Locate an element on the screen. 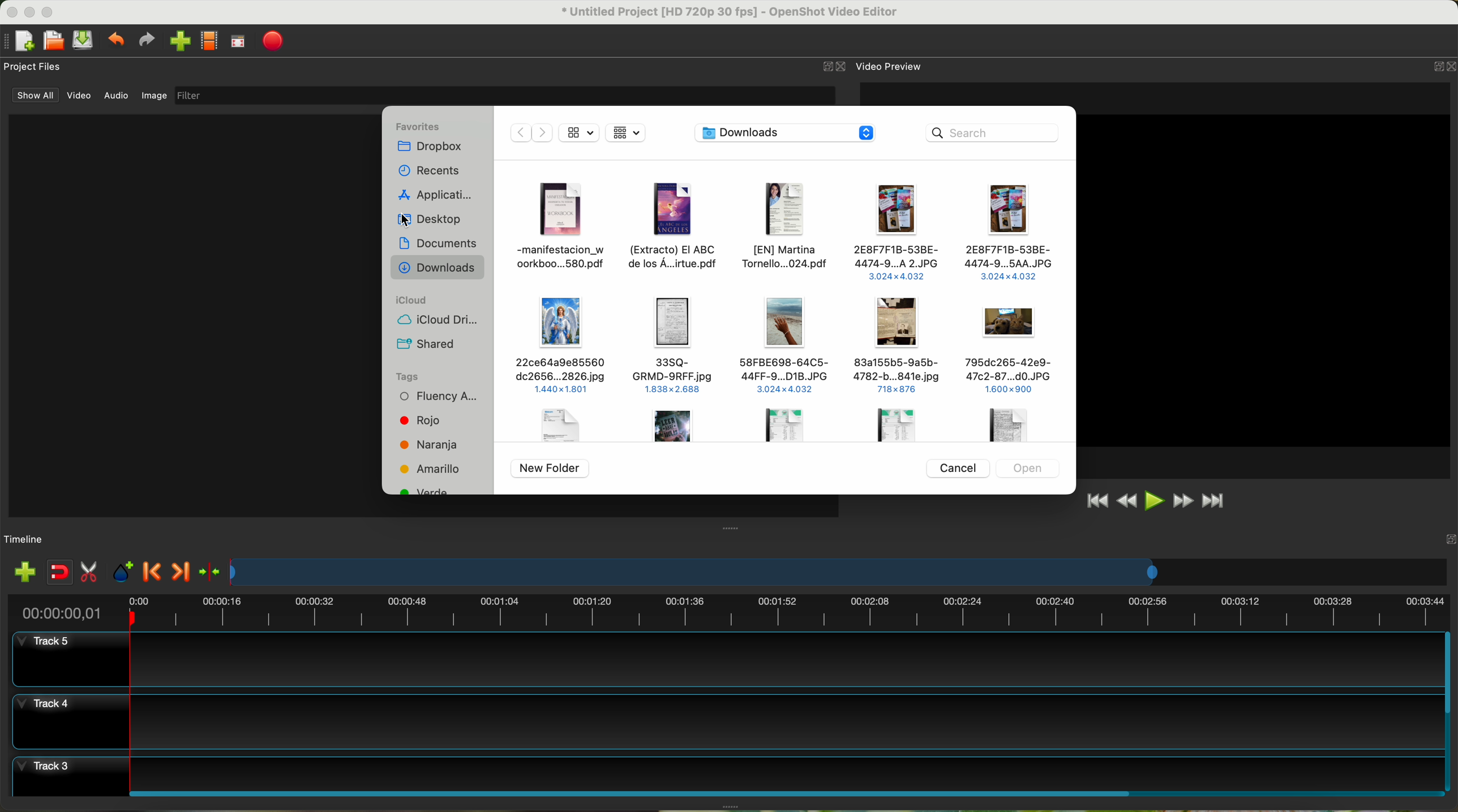 This screenshot has width=1458, height=812. yellow tag is located at coordinates (431, 469).